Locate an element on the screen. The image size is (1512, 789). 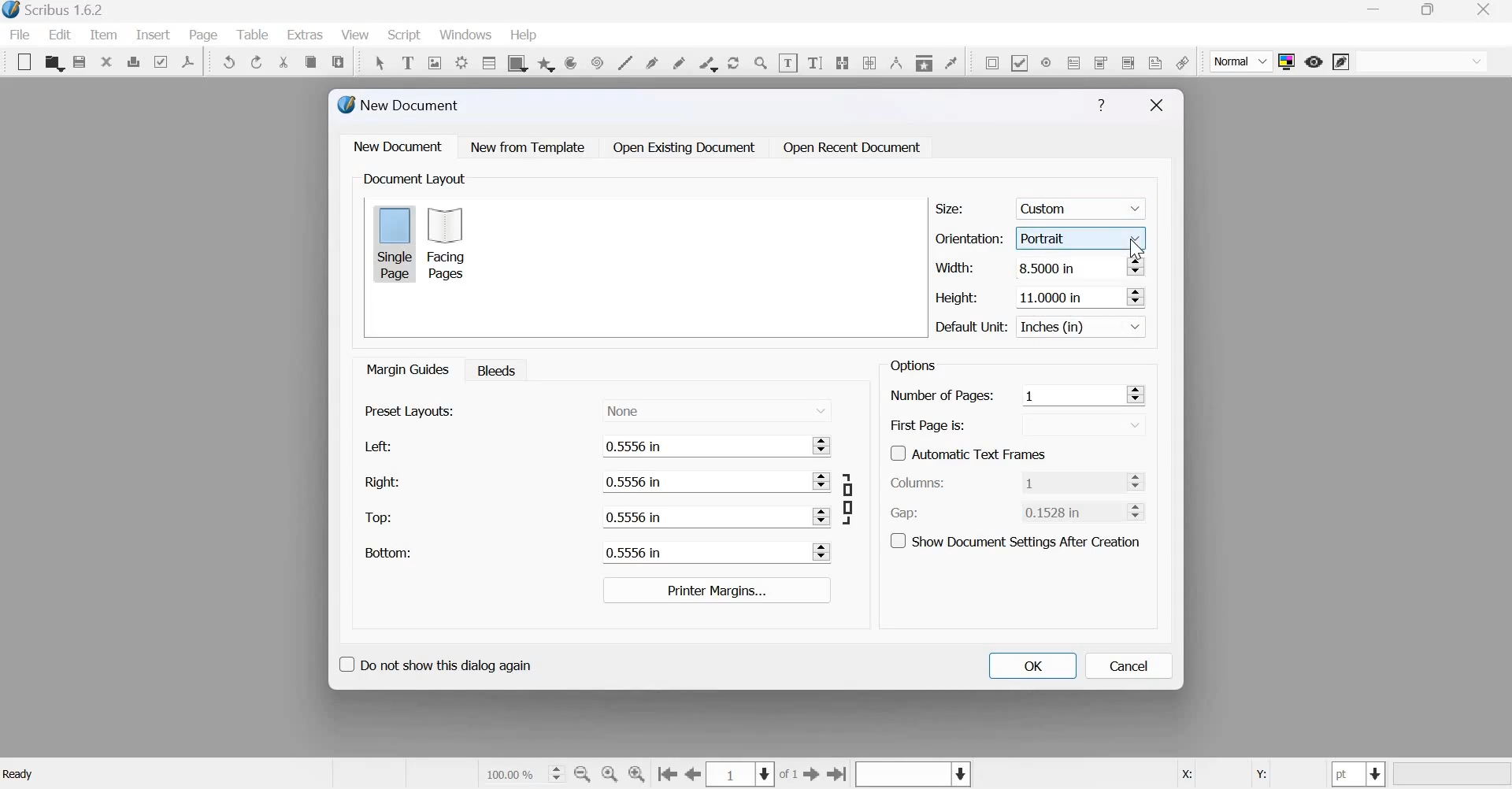
Gap: is located at coordinates (905, 513).